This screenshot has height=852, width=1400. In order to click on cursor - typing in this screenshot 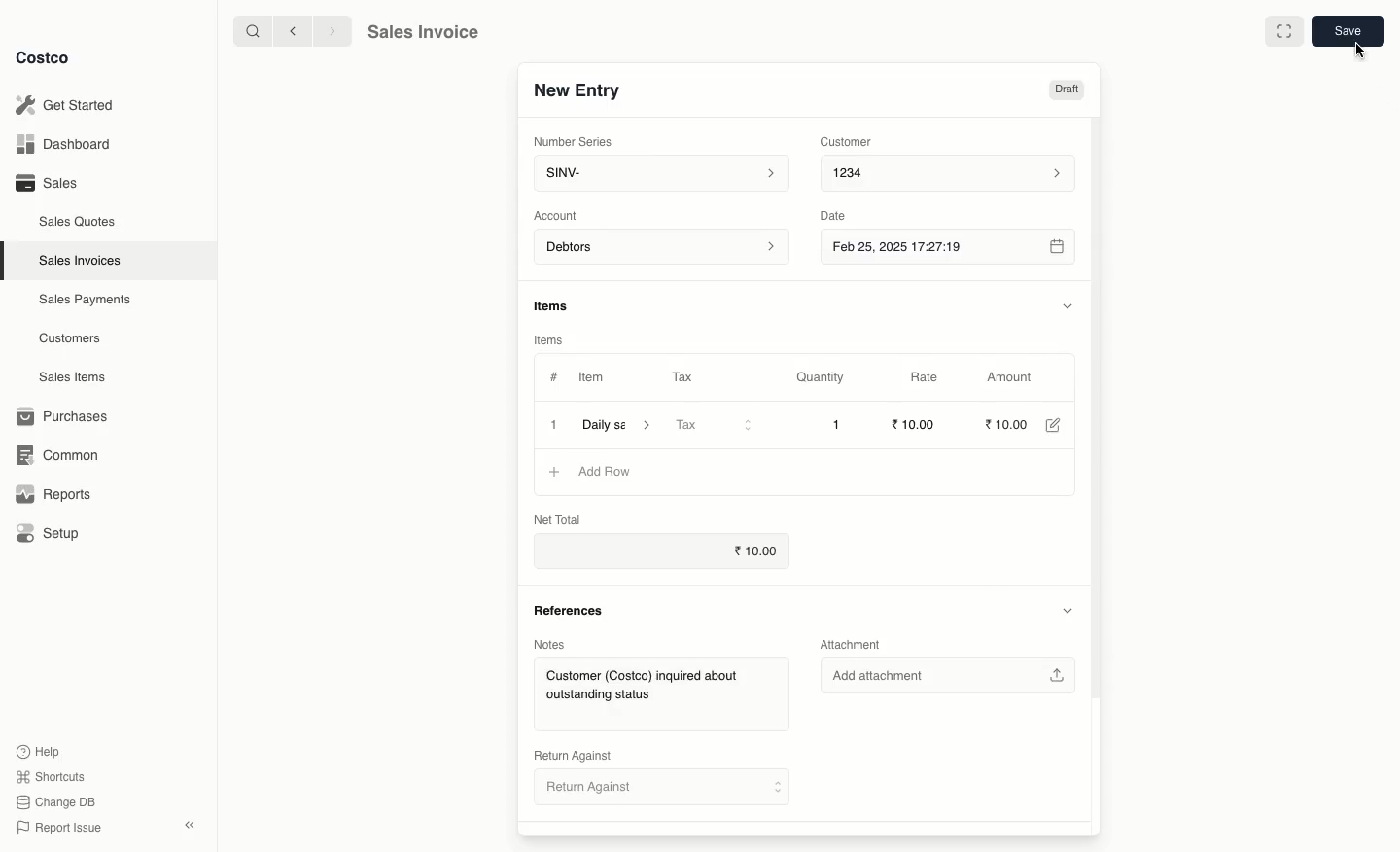, I will do `click(1358, 51)`.